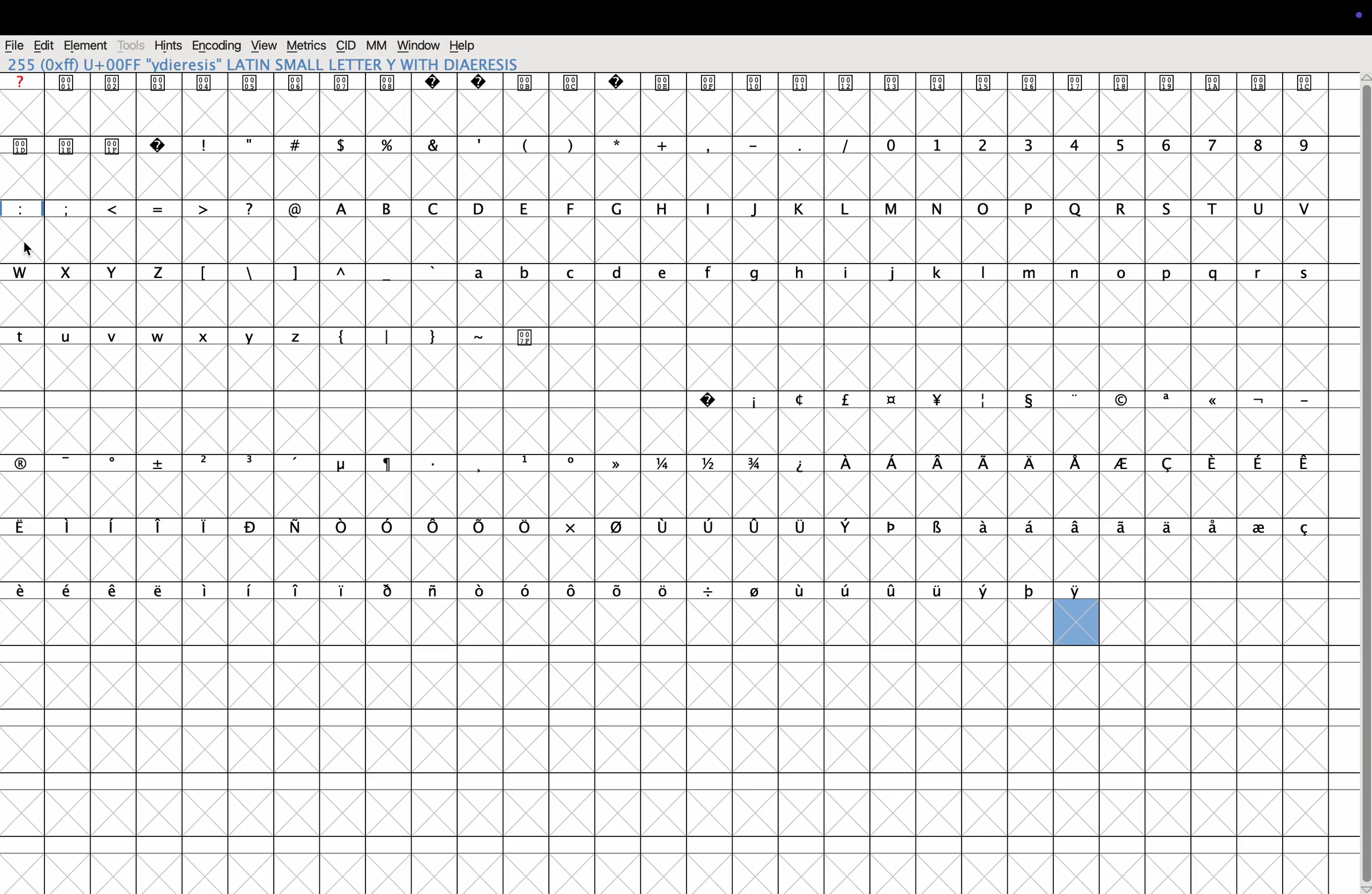 The image size is (1372, 894). What do you see at coordinates (850, 228) in the screenshot?
I see `L` at bounding box center [850, 228].